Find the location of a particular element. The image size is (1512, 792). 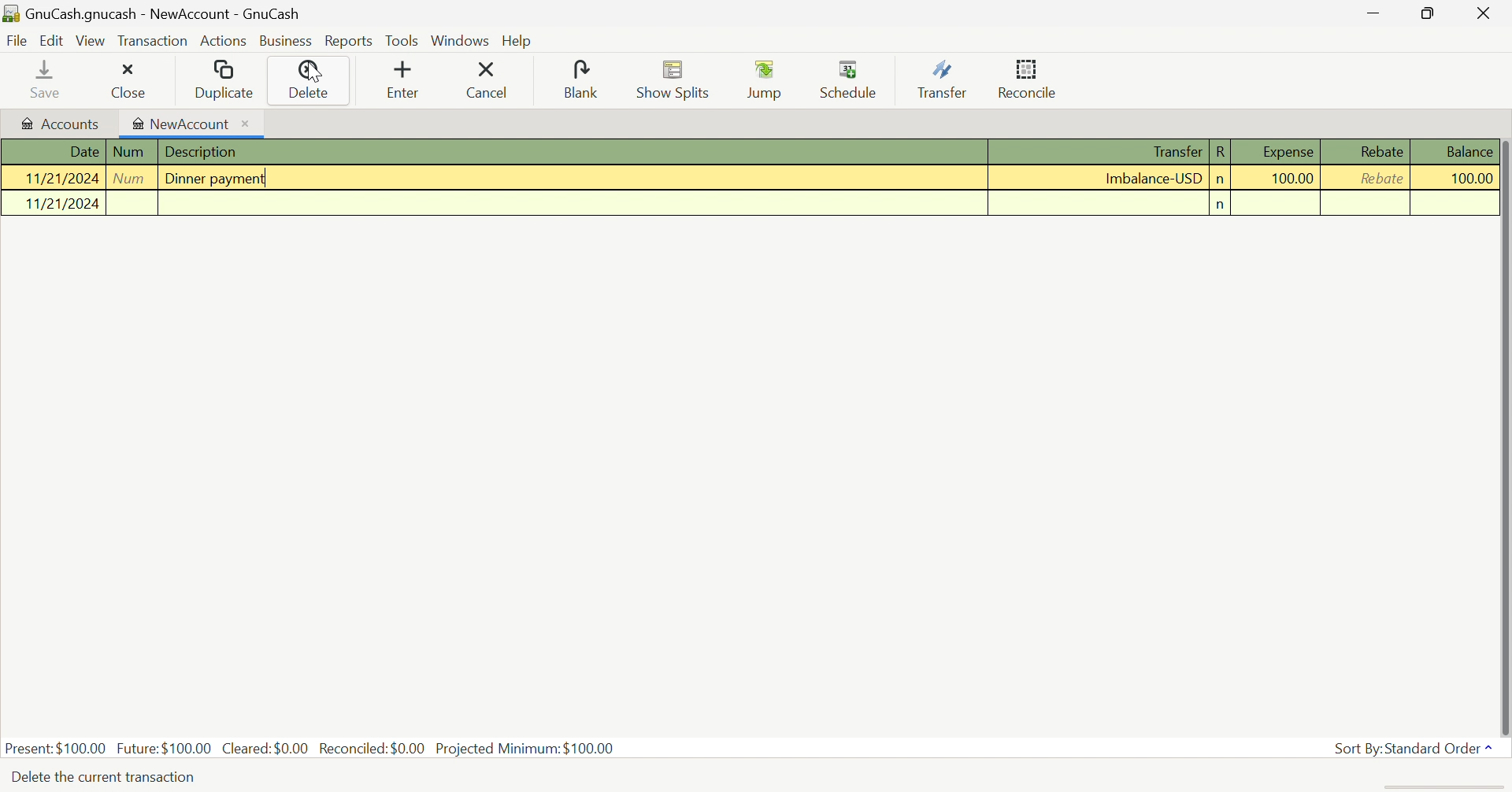

Num is located at coordinates (128, 151).